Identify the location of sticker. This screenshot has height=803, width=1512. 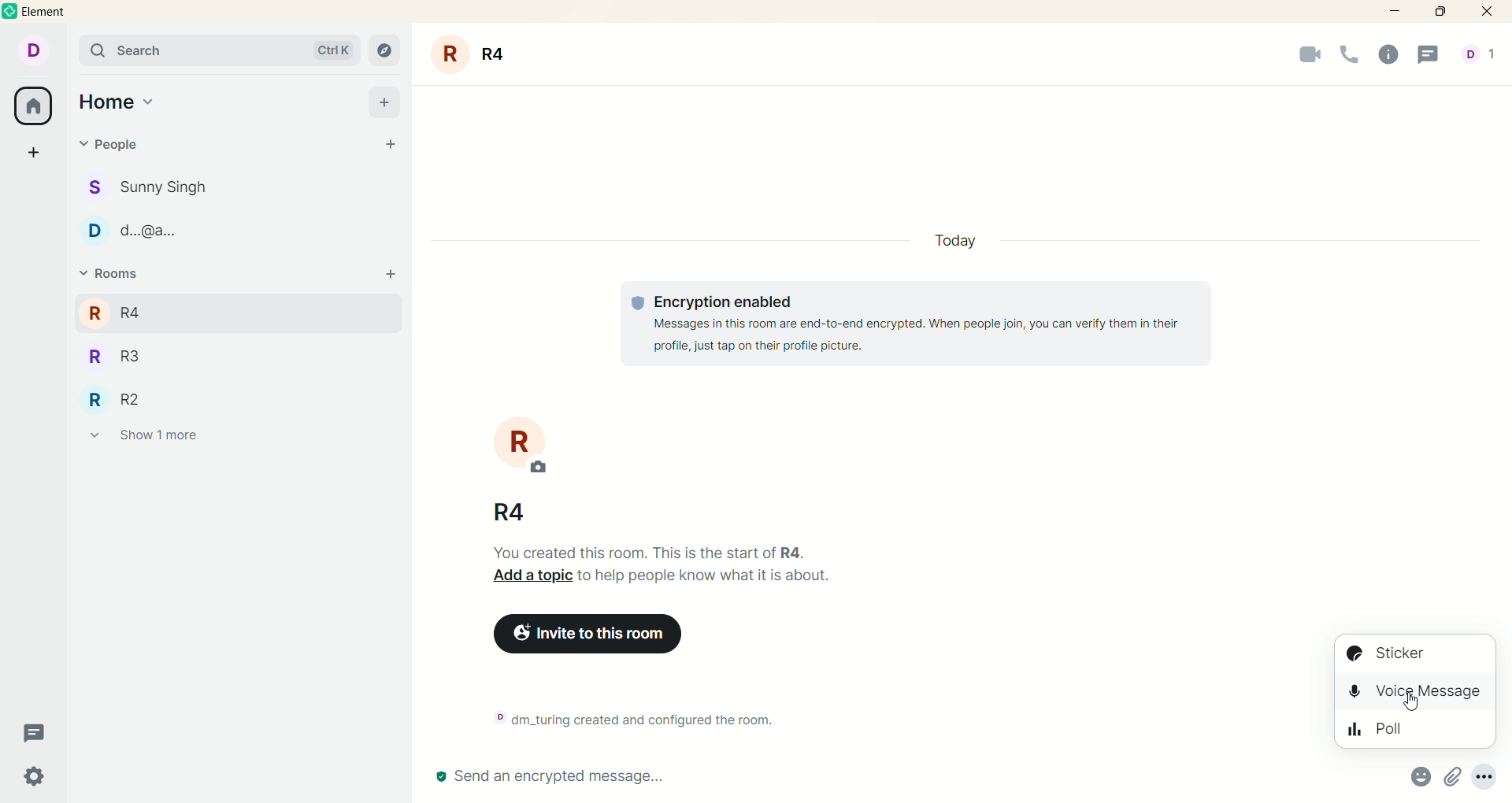
(1417, 655).